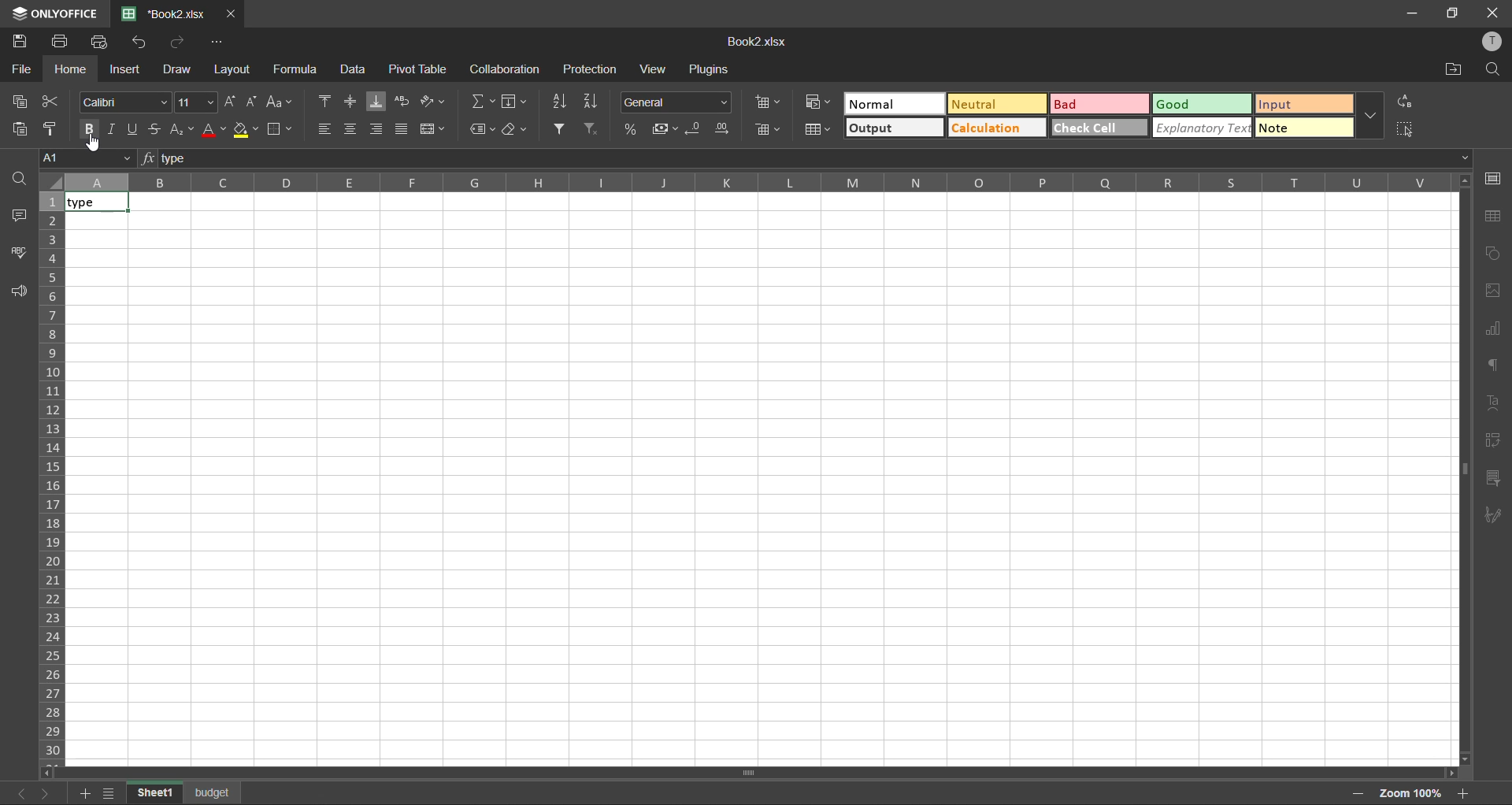 Image resolution: width=1512 pixels, height=805 pixels. What do you see at coordinates (103, 43) in the screenshot?
I see `quick print` at bounding box center [103, 43].